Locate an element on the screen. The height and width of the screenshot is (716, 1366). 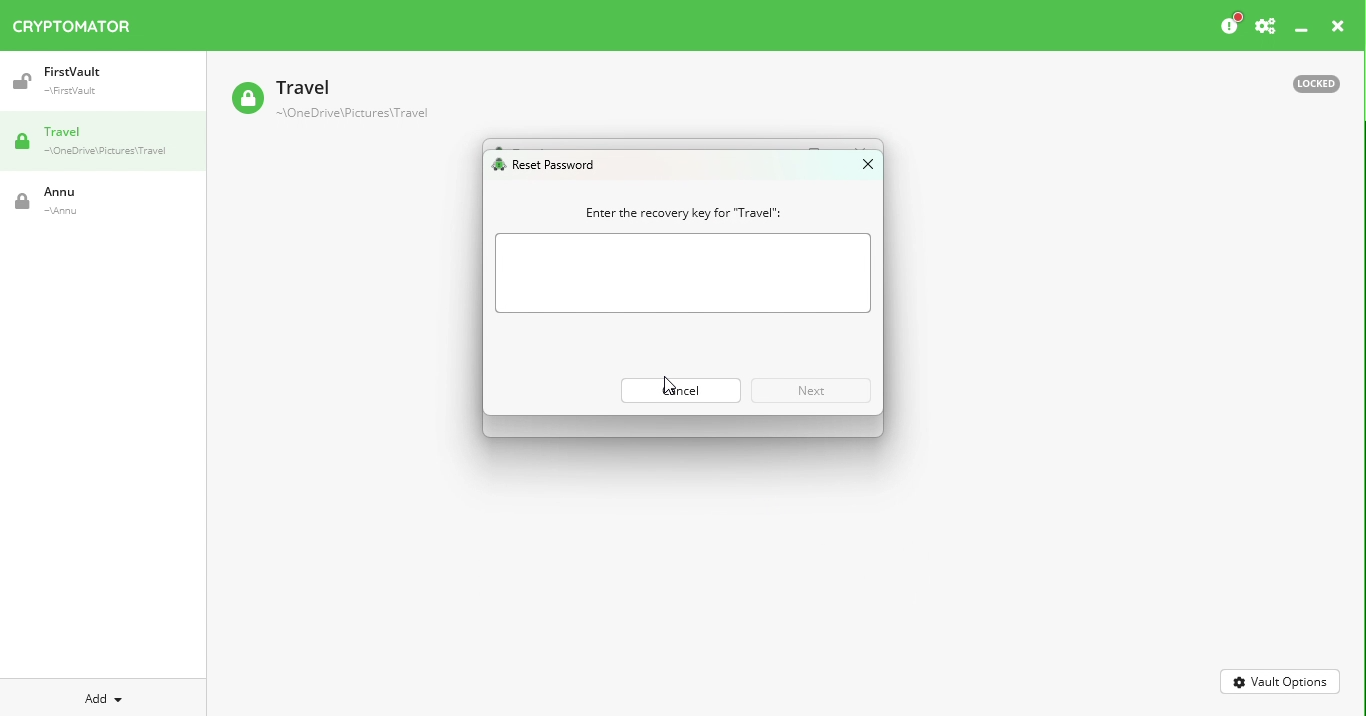
Vault is located at coordinates (329, 101).